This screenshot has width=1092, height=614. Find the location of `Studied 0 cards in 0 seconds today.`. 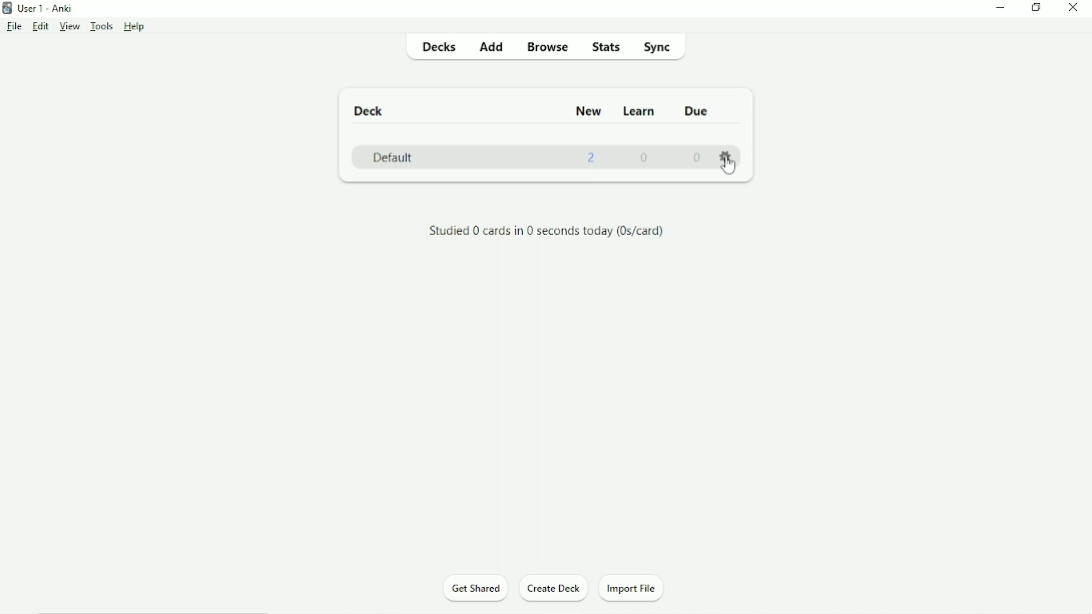

Studied 0 cards in 0 seconds today. is located at coordinates (547, 232).